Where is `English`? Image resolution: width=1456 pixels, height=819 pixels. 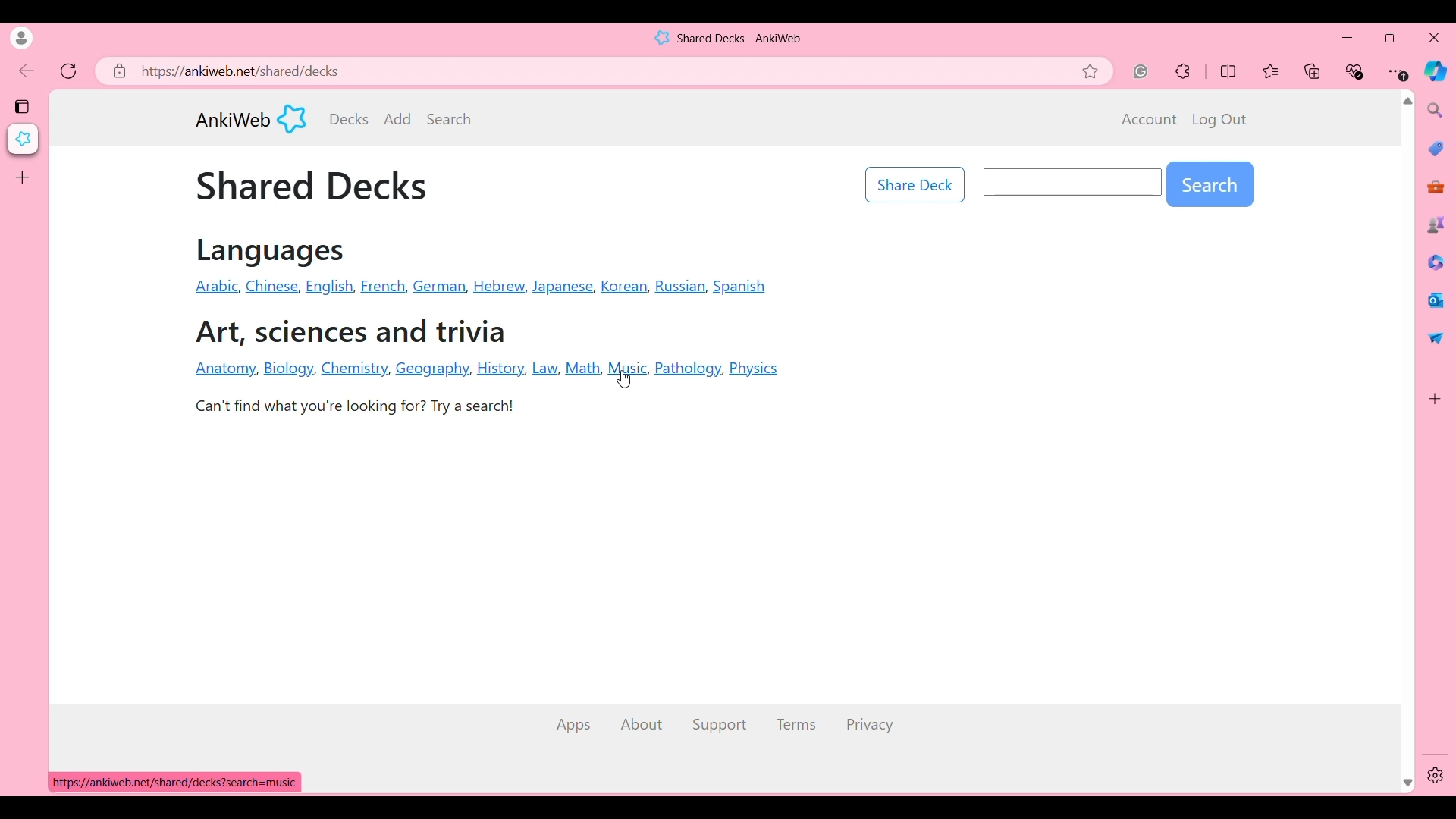
English is located at coordinates (328, 287).